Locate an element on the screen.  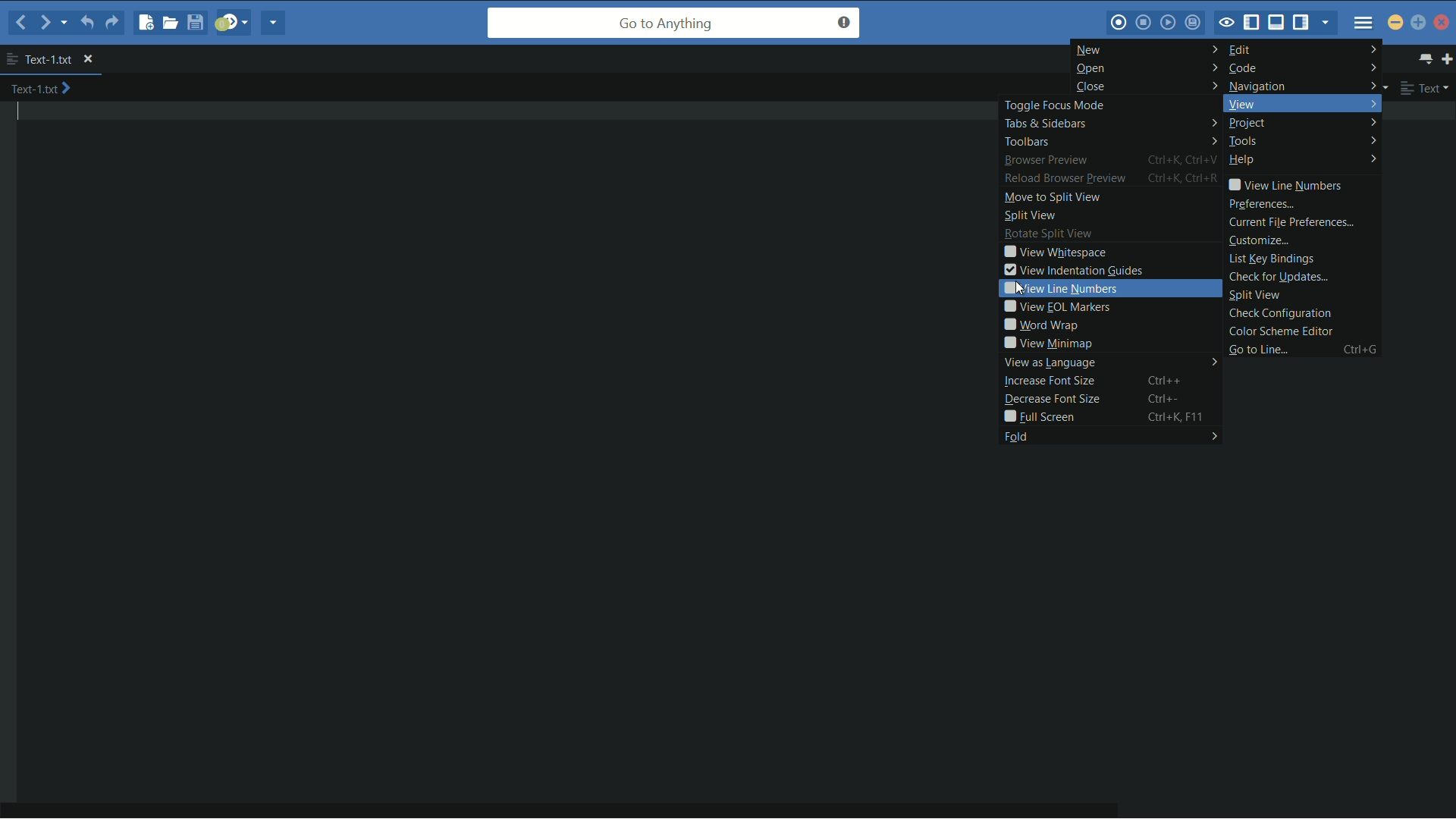
redo is located at coordinates (113, 24).